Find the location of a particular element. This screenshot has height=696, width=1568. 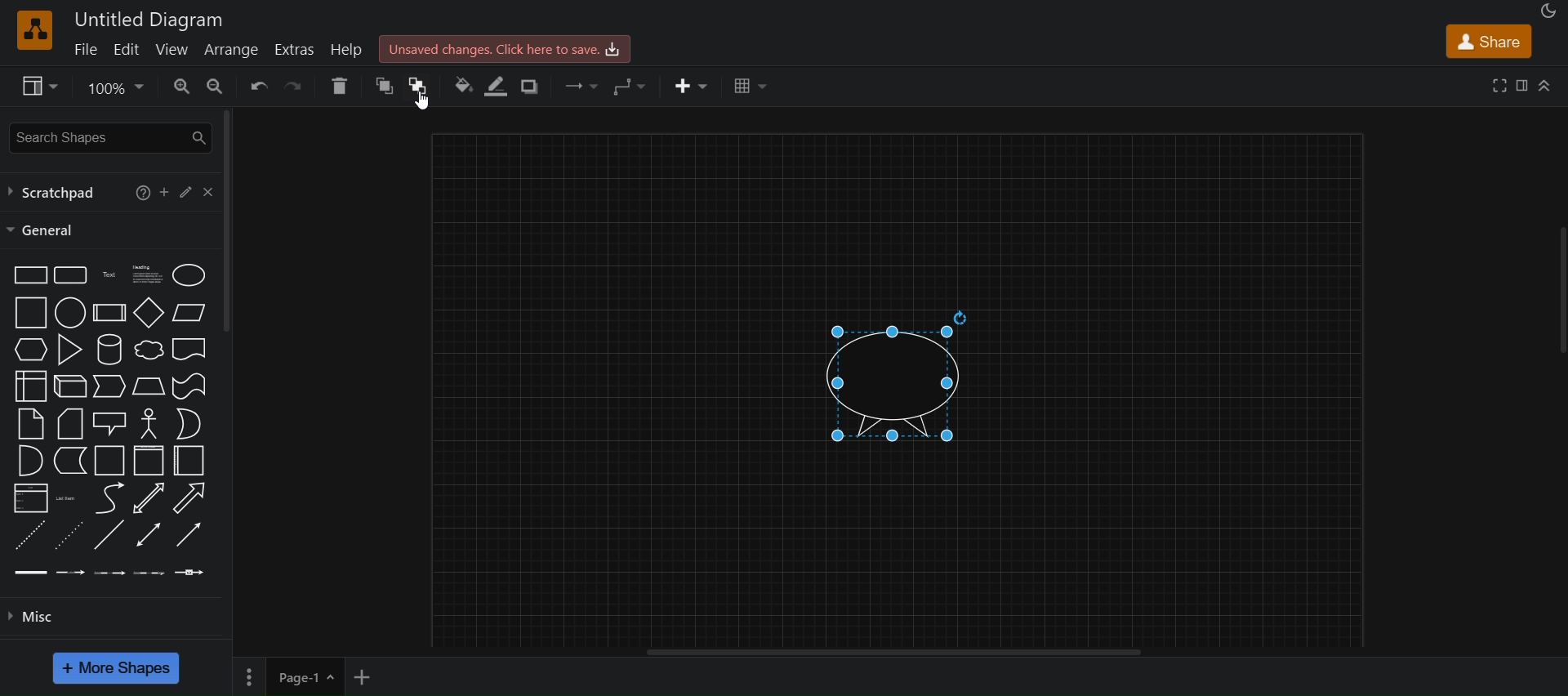

connetor with 2 lable is located at coordinates (109, 573).